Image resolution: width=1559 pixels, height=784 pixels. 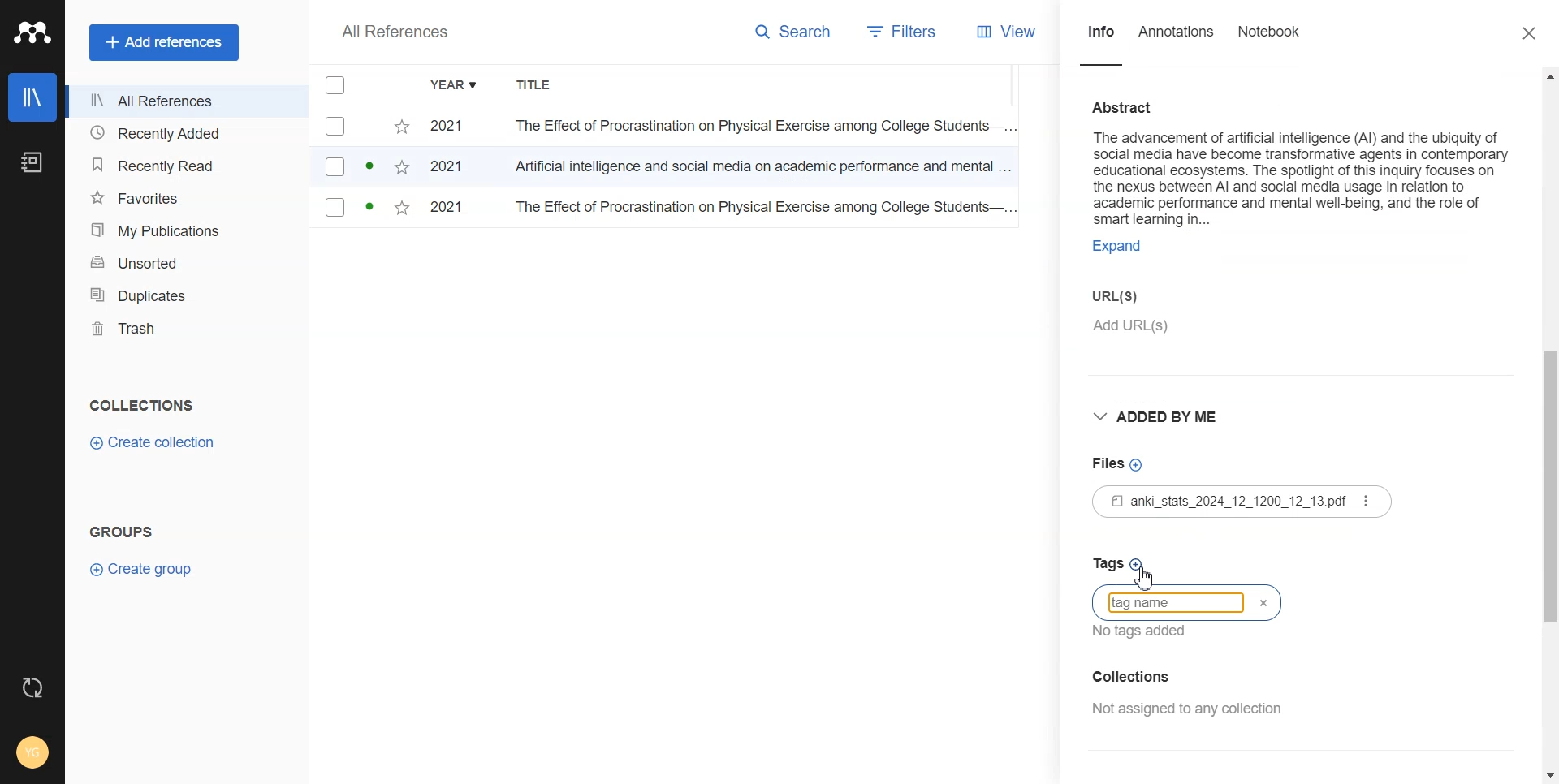 What do you see at coordinates (758, 127) in the screenshot?
I see `The Effect of Procrastination on Physical Exercise among College Students...` at bounding box center [758, 127].